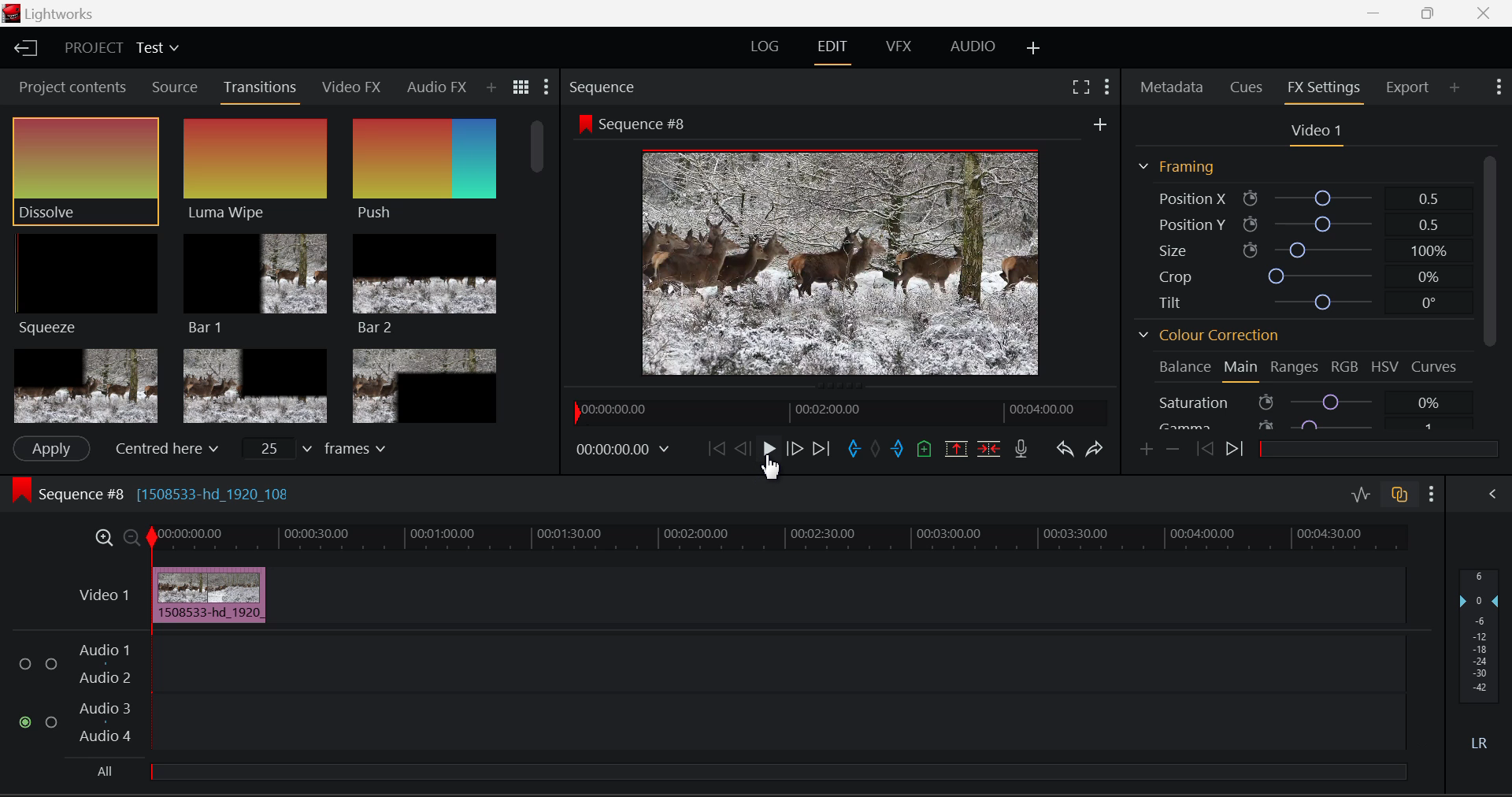 The width and height of the screenshot is (1512, 797). Describe the element at coordinates (1066, 451) in the screenshot. I see `Undo` at that location.